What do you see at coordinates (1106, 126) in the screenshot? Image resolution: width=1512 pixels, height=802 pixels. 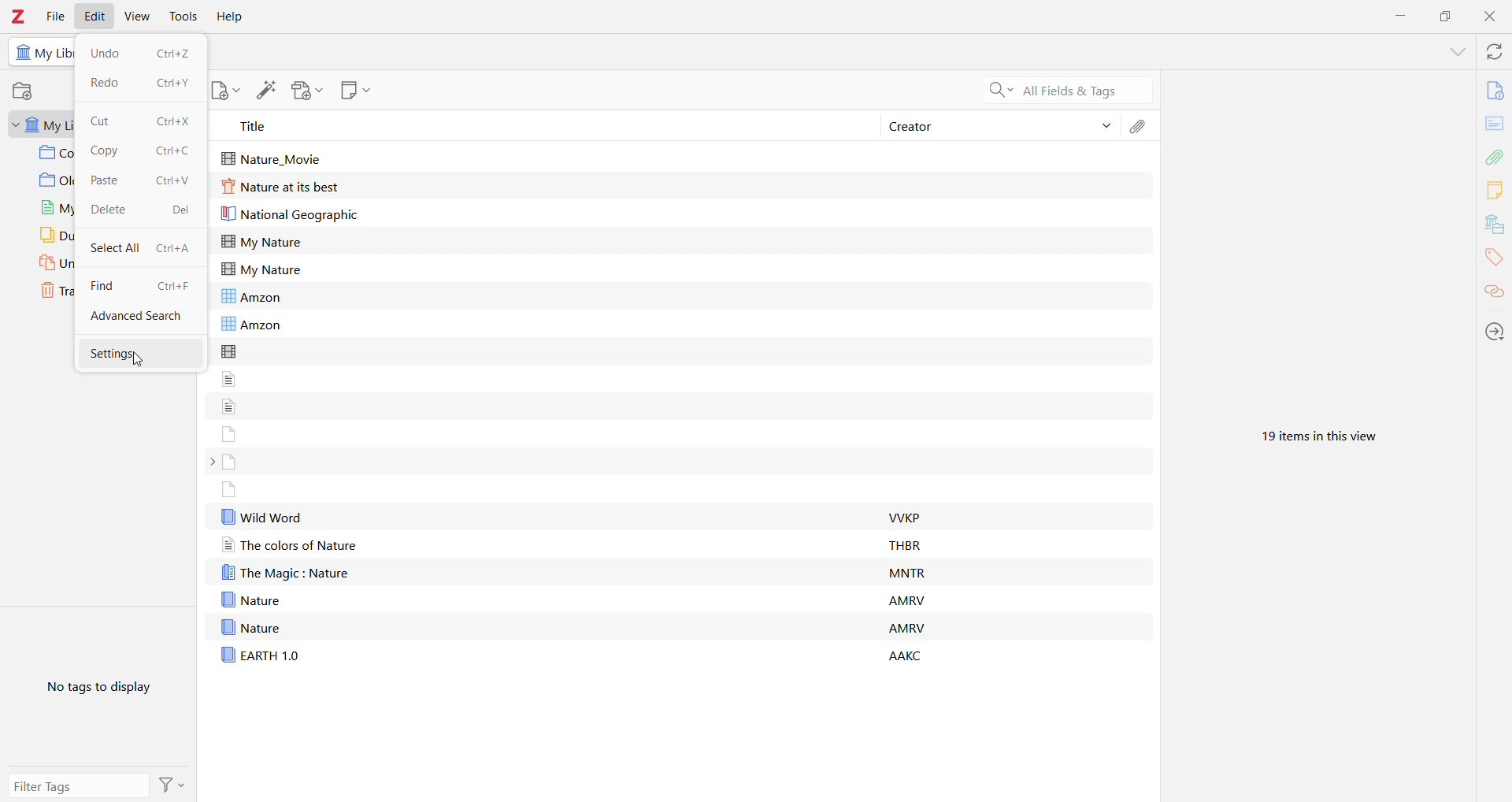 I see `Sort Items` at bounding box center [1106, 126].